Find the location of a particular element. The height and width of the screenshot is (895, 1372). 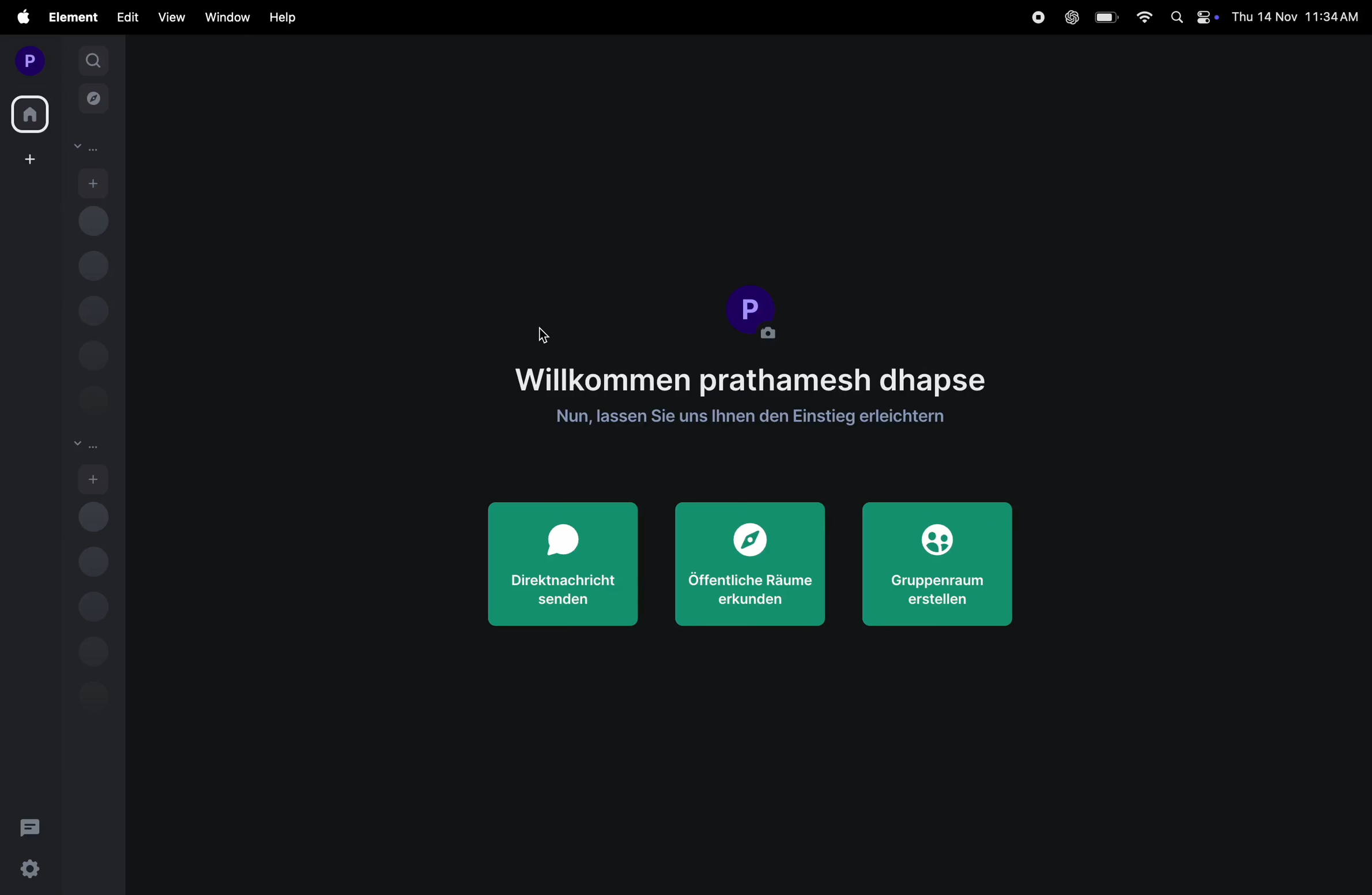

settings is located at coordinates (28, 867).